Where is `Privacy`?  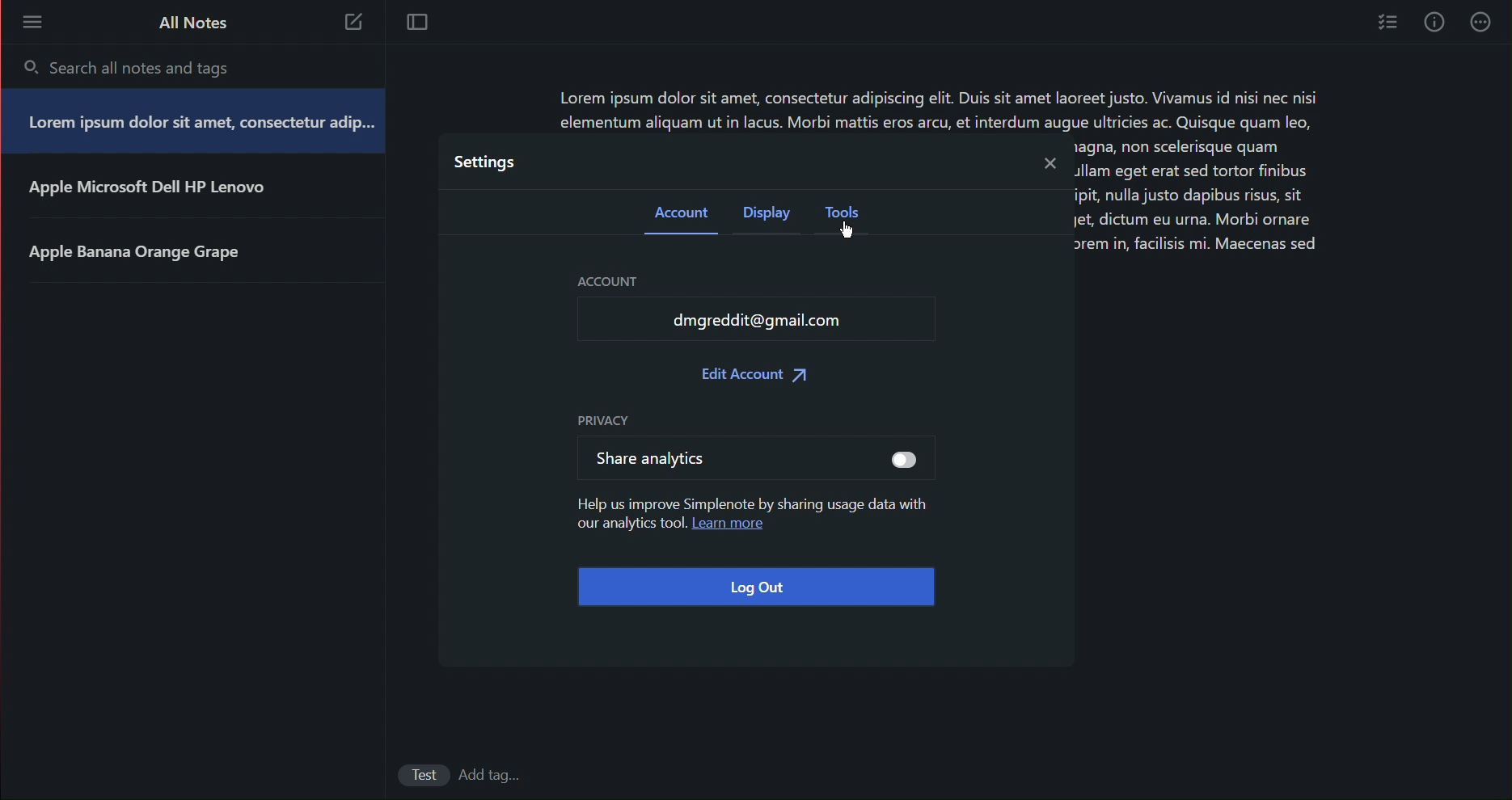 Privacy is located at coordinates (601, 419).